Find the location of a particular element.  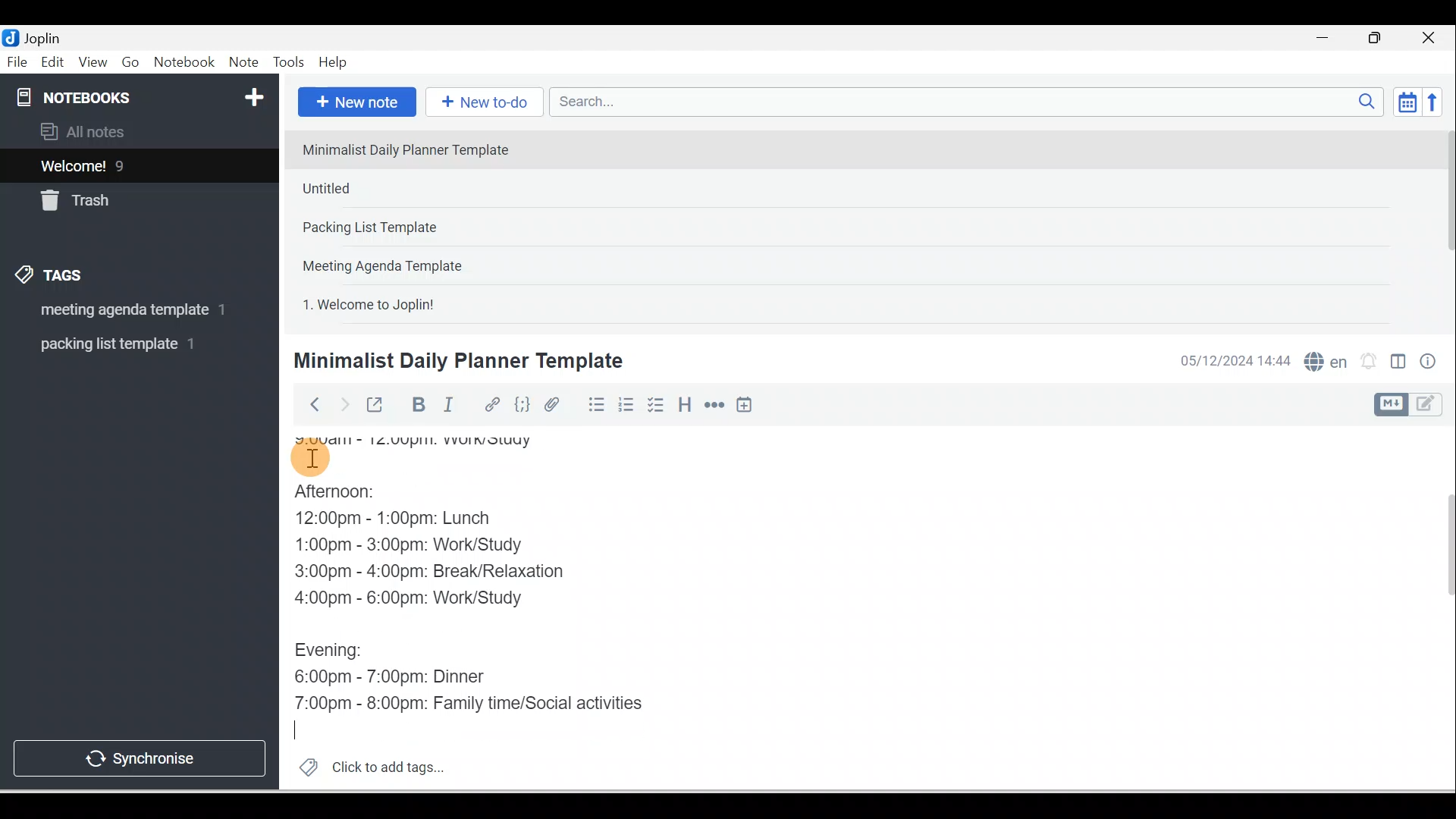

Set alarm is located at coordinates (1367, 362).